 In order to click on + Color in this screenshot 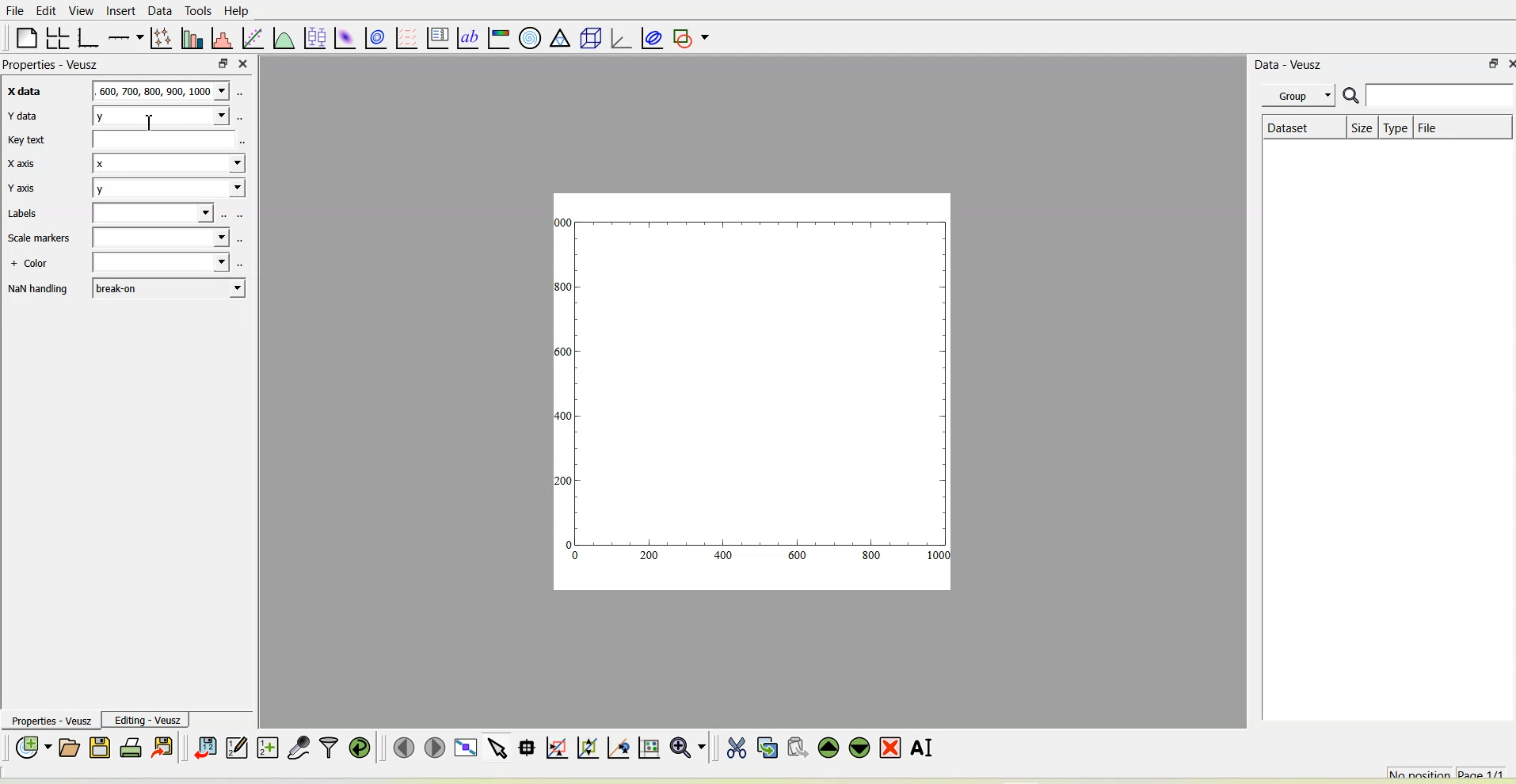, I will do `click(29, 264)`.